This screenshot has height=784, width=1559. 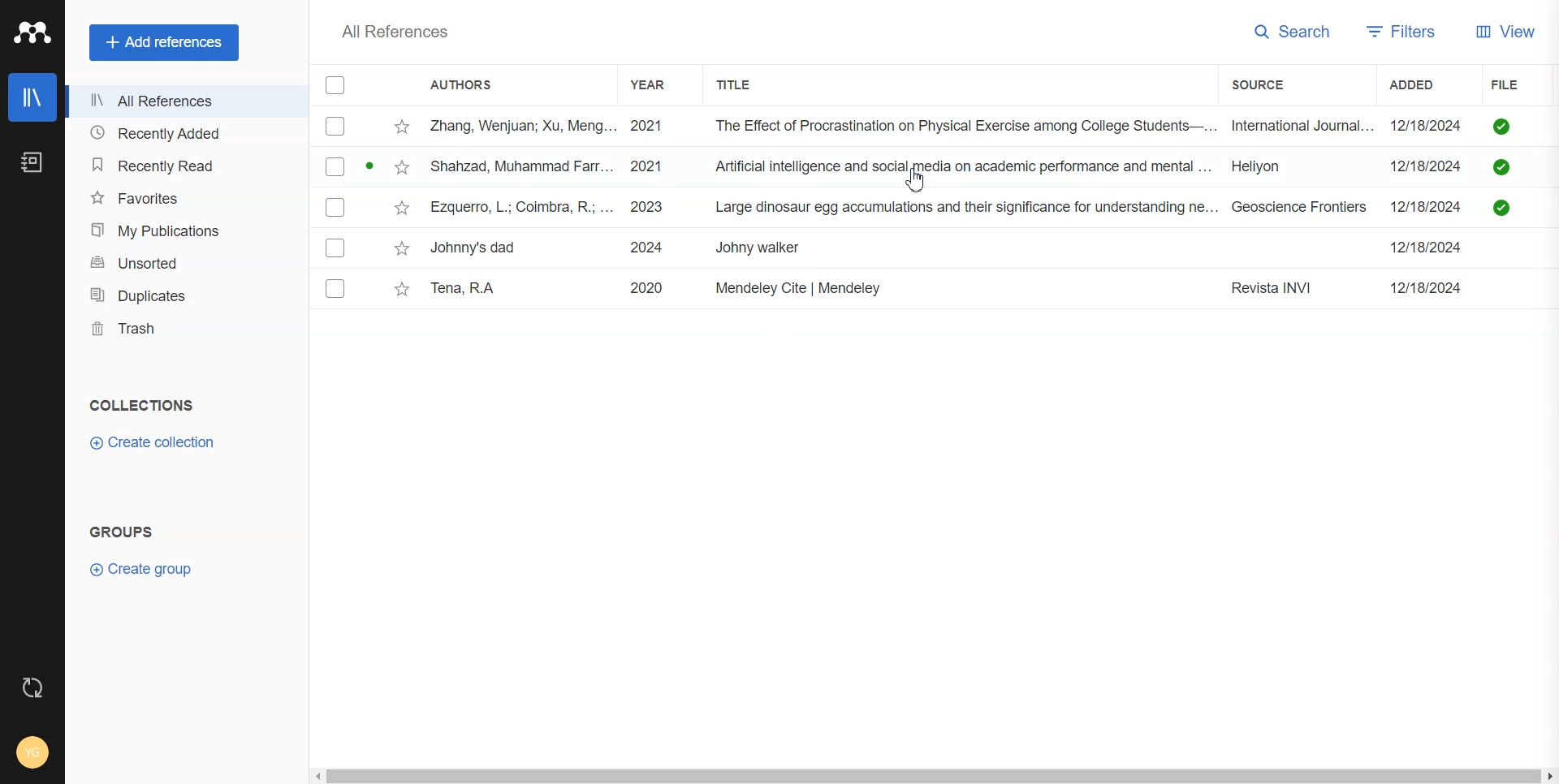 I want to click on Collection, so click(x=143, y=405).